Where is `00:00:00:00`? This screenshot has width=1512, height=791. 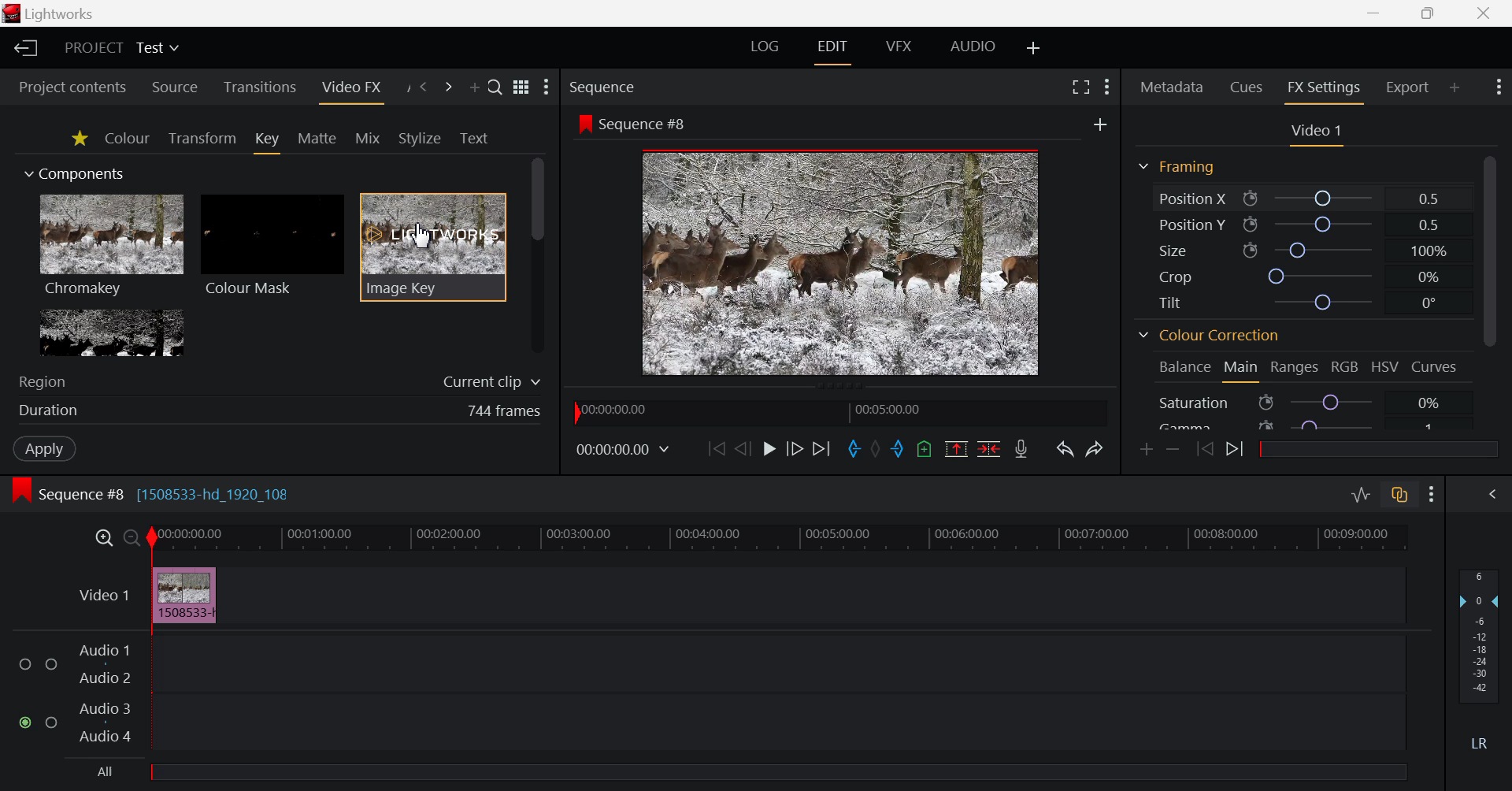
00:00:00:00 is located at coordinates (622, 447).